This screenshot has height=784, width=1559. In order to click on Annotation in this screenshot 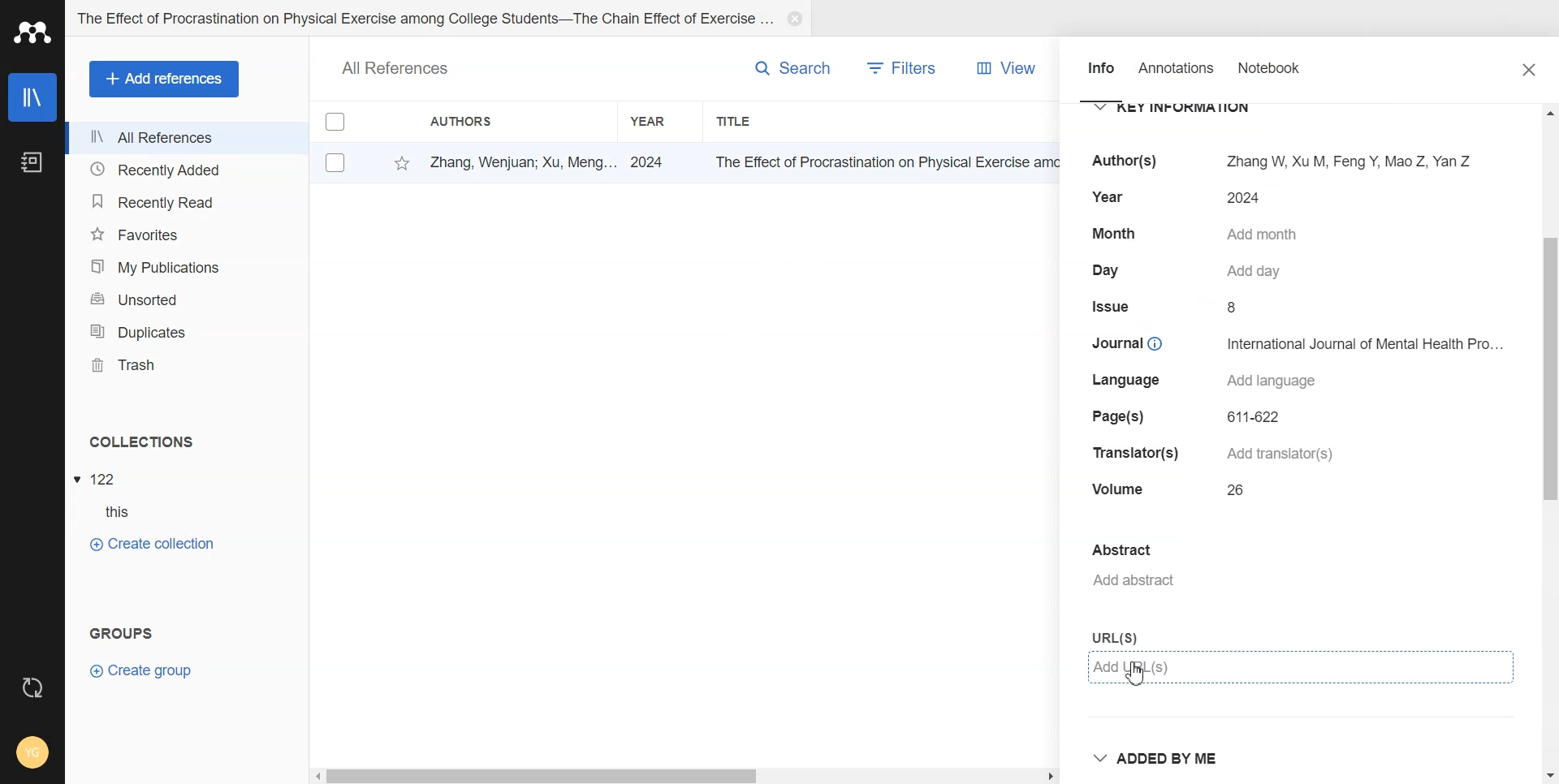, I will do `click(1178, 74)`.